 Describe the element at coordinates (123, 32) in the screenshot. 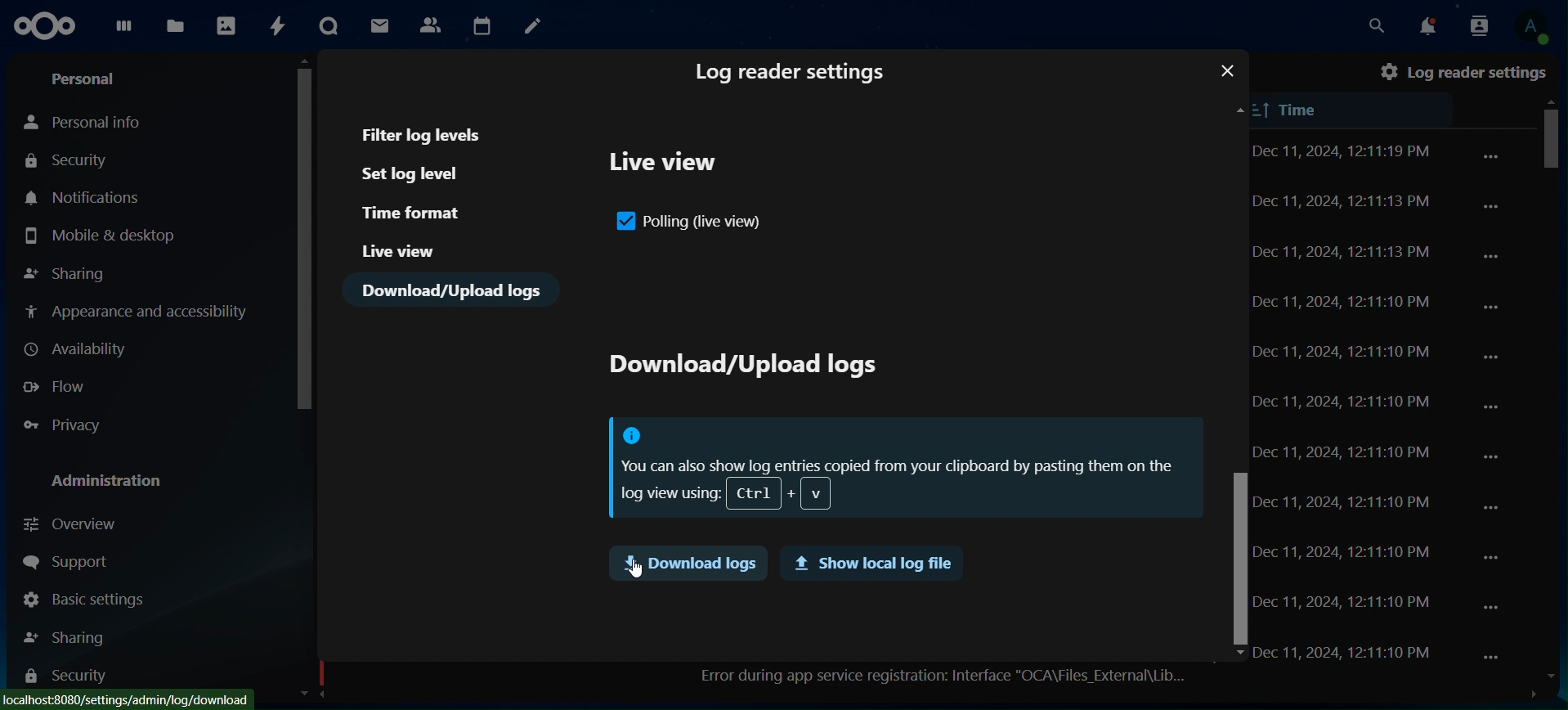

I see `dashboard` at that location.